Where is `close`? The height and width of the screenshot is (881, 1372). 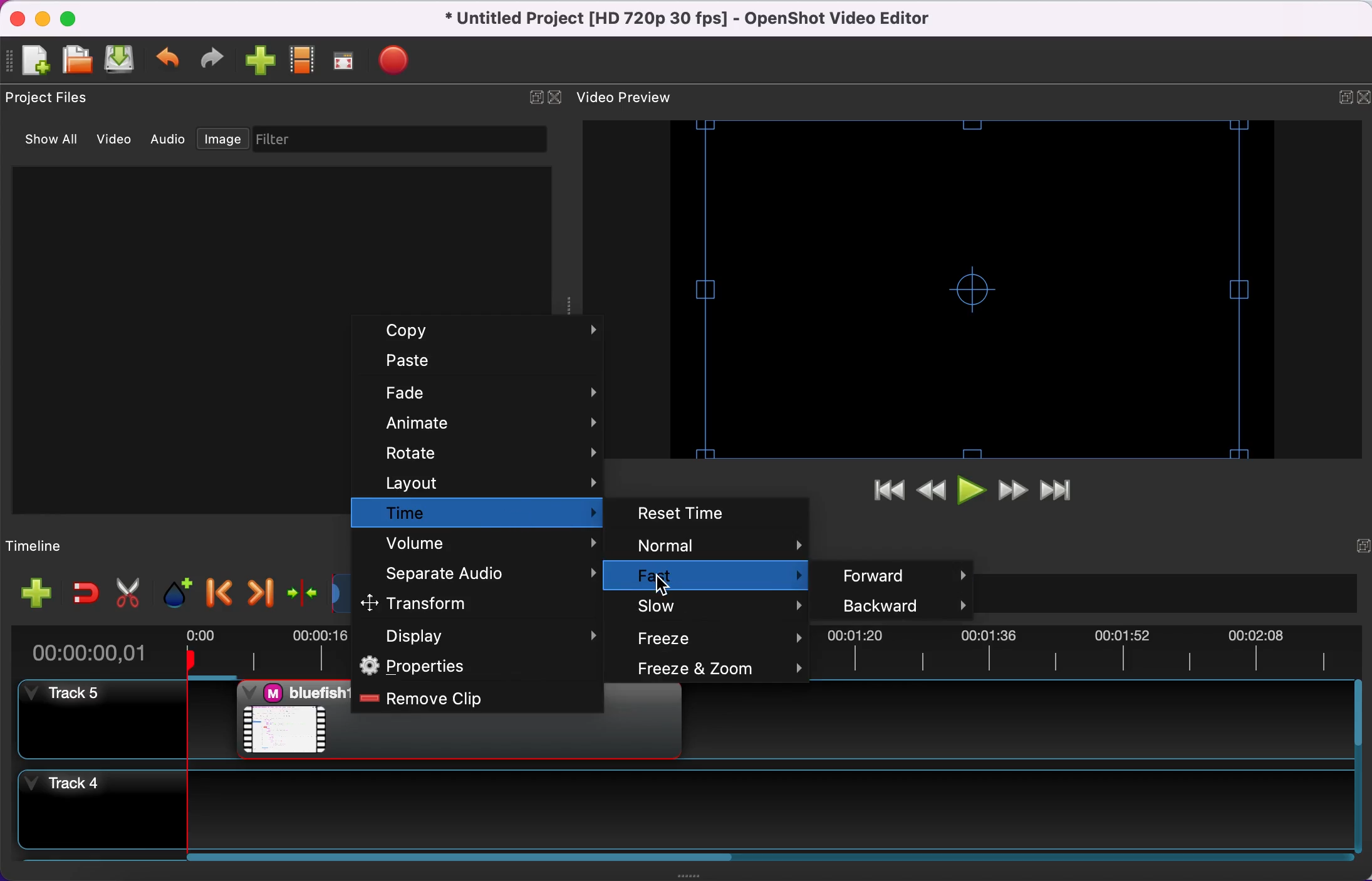
close is located at coordinates (559, 100).